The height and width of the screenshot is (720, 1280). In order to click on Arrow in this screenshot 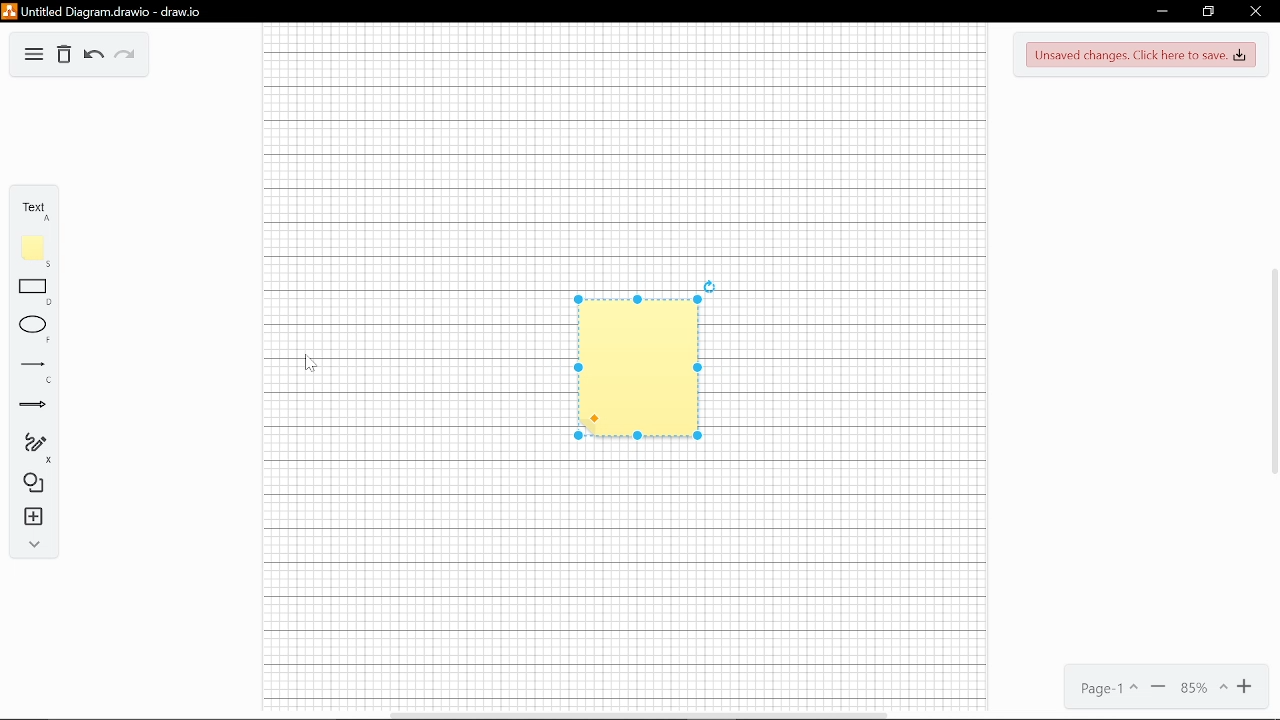, I will do `click(31, 405)`.